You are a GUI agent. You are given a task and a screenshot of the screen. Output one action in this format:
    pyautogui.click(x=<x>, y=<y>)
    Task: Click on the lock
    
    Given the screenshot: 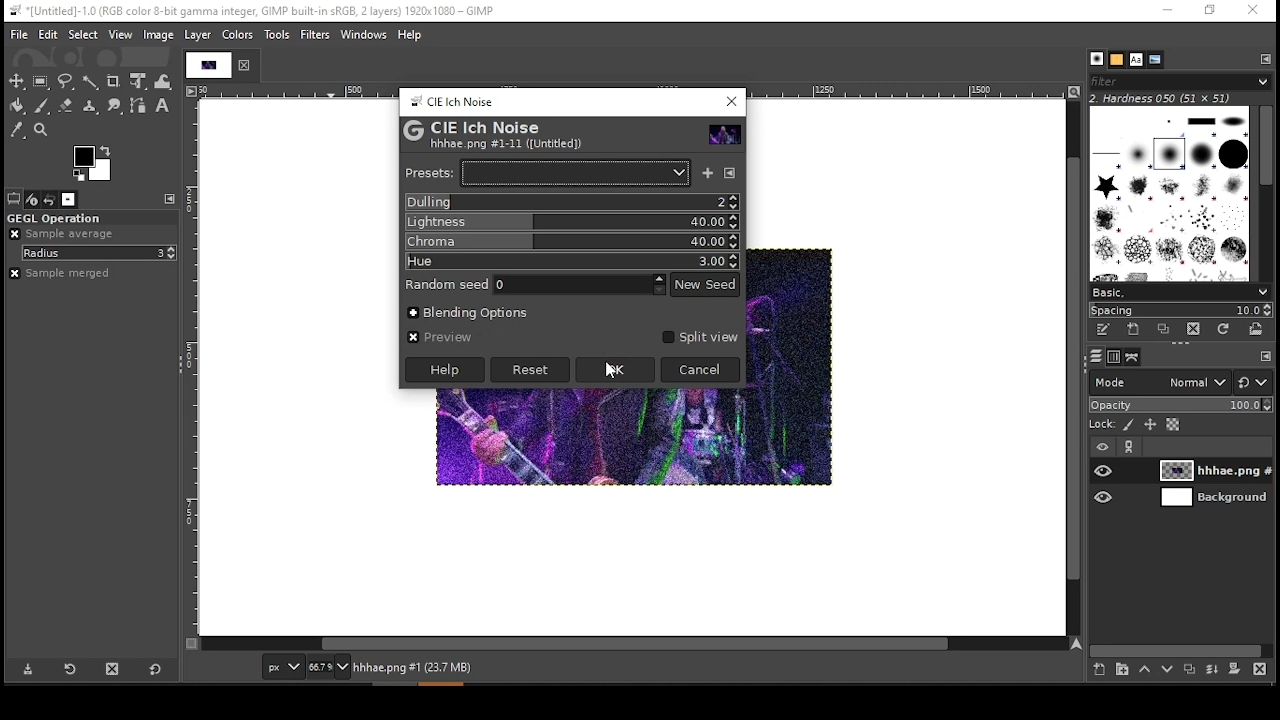 What is the action you would take?
    pyautogui.click(x=1100, y=425)
    